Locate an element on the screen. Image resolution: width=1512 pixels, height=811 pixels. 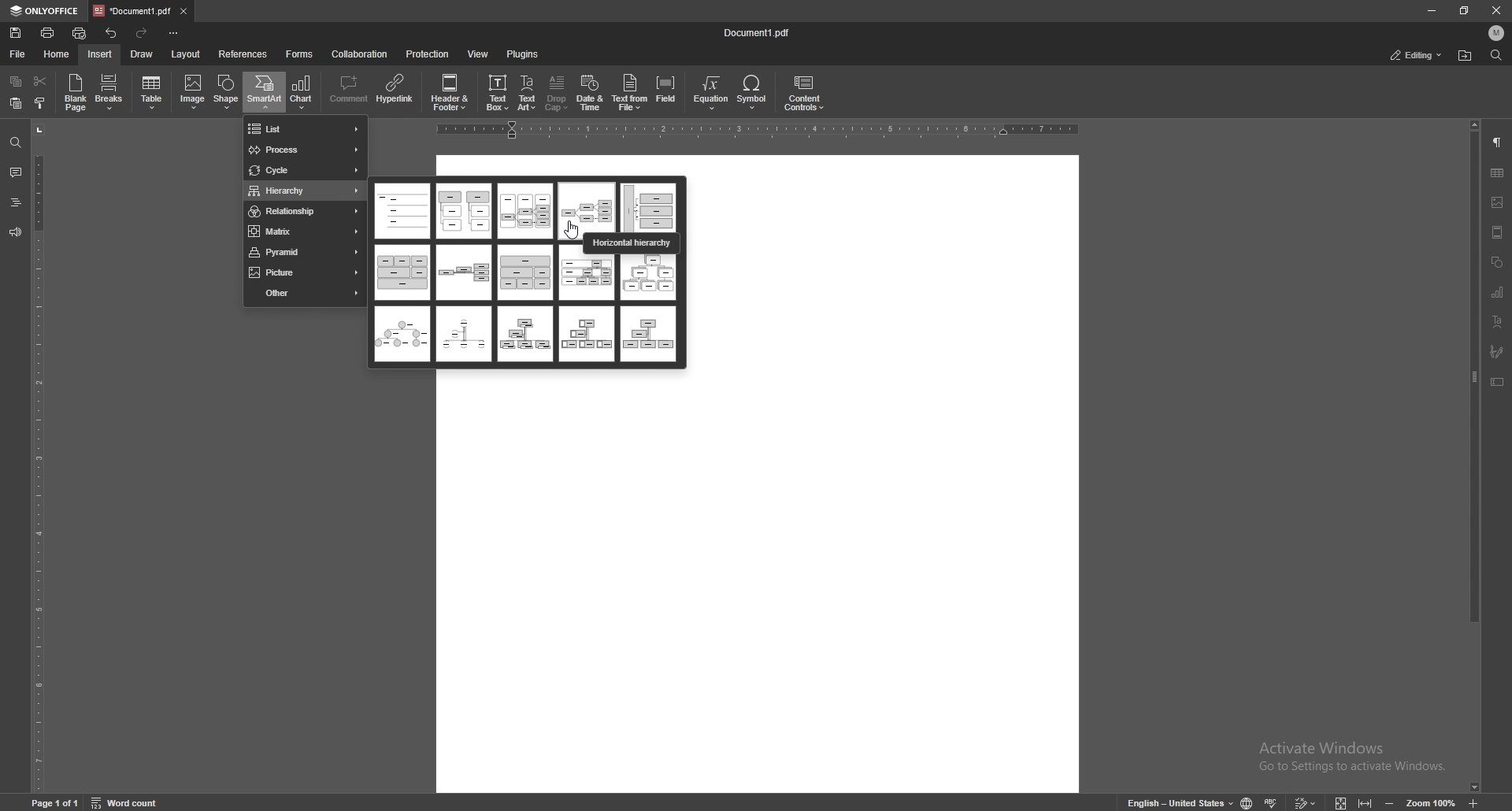
locate file is located at coordinates (1466, 55).